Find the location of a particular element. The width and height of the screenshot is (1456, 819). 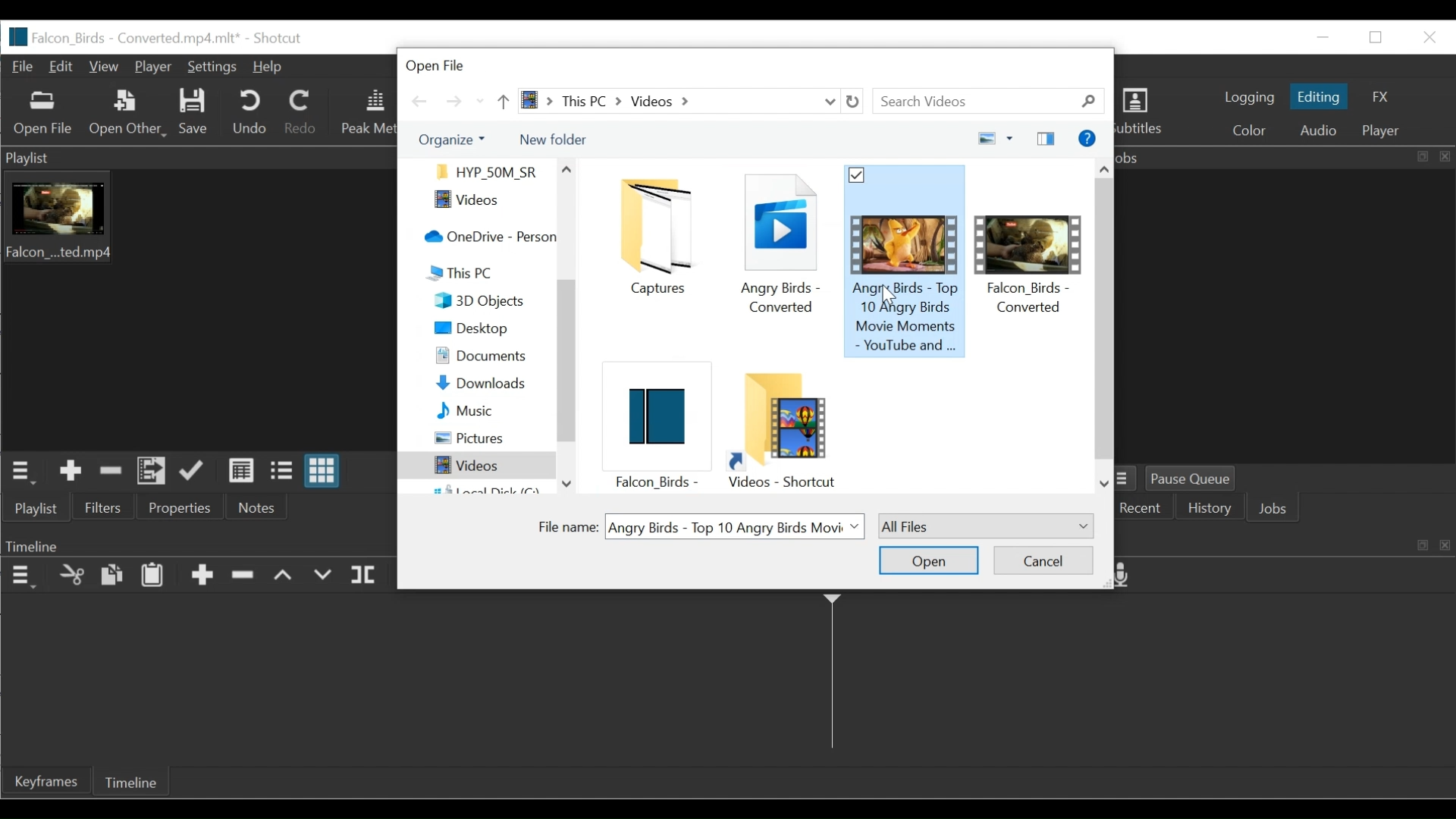

New Folder is located at coordinates (553, 140).